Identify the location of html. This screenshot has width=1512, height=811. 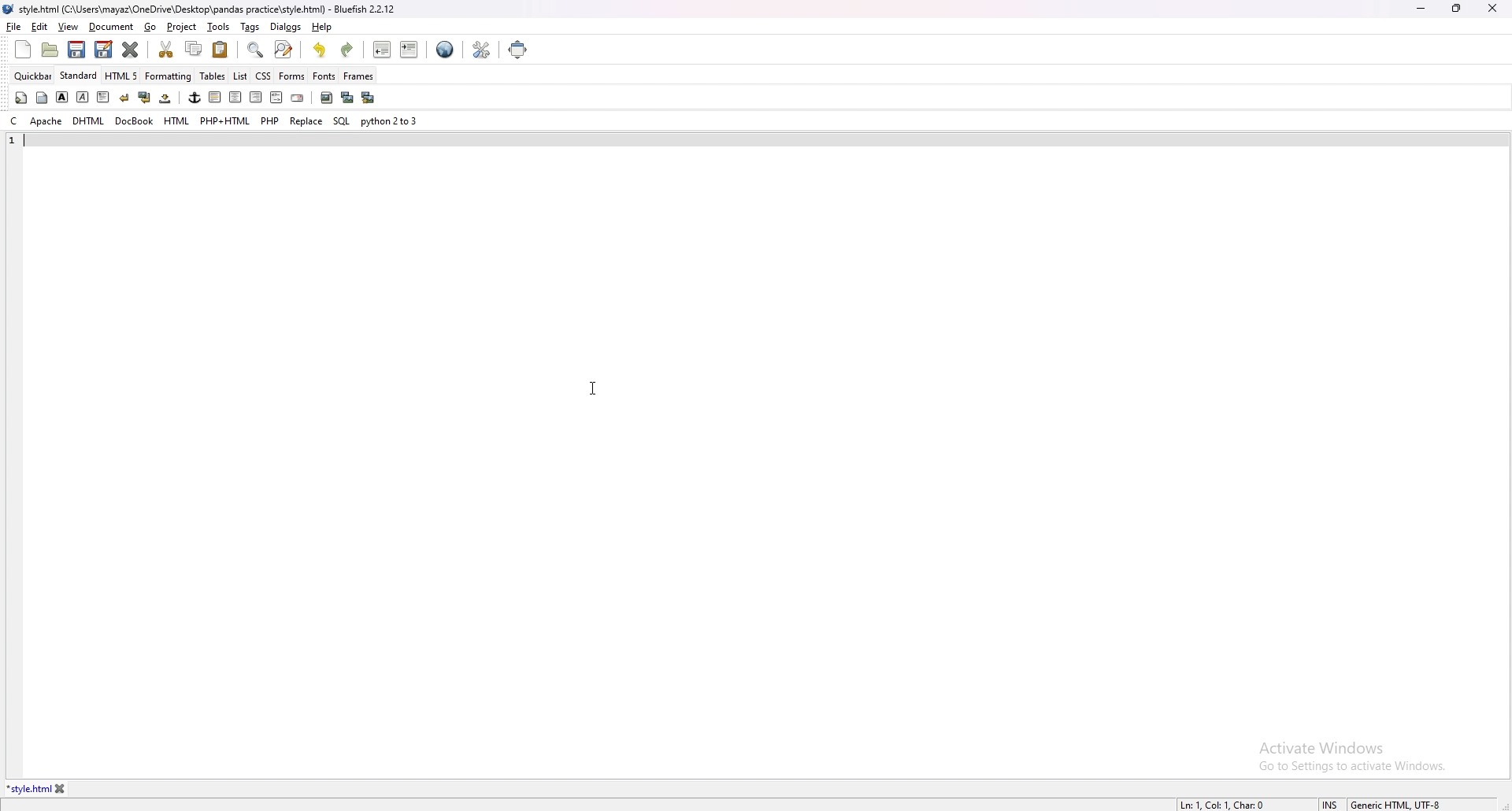
(177, 121).